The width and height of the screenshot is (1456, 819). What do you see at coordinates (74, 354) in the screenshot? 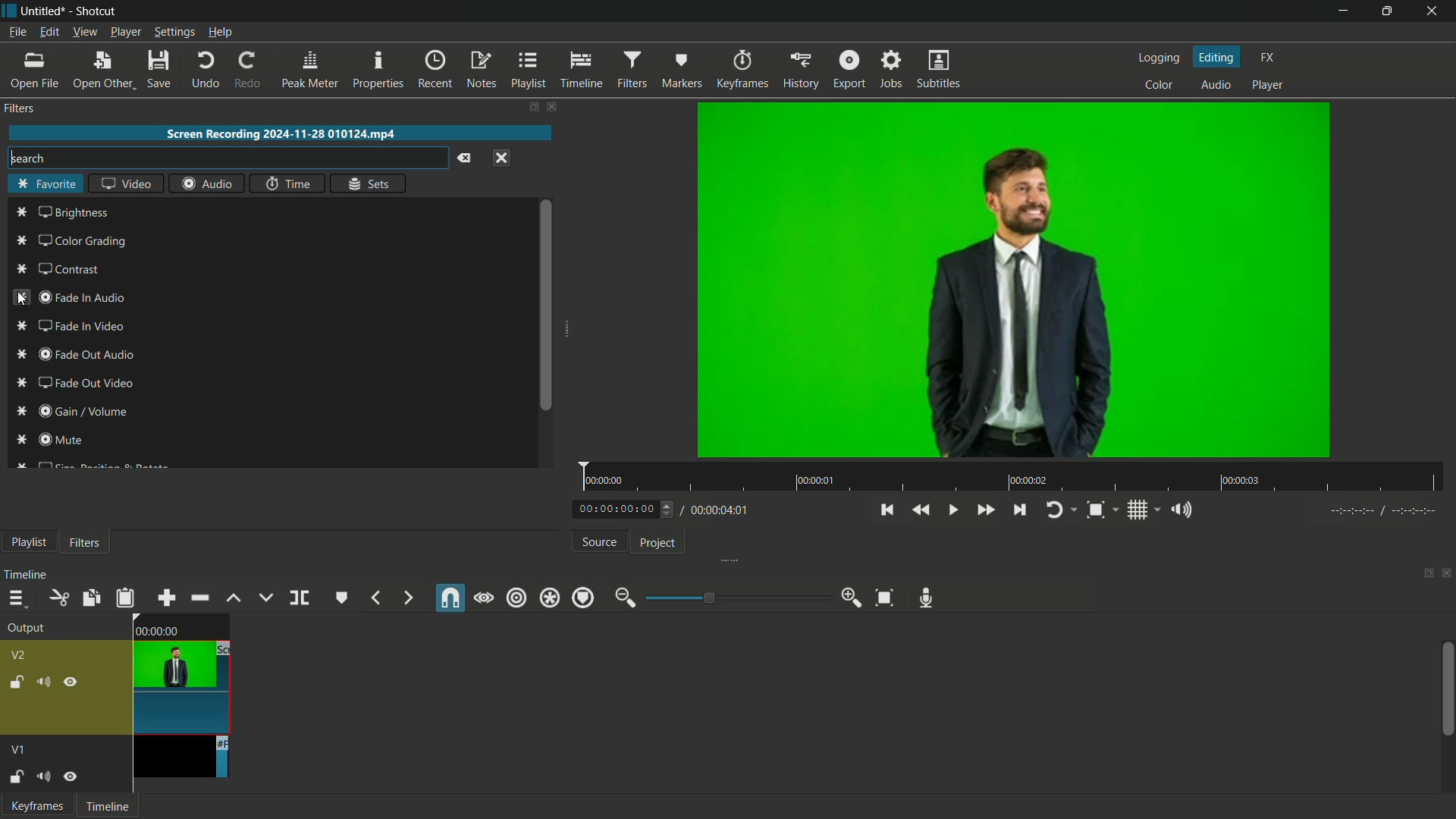
I see `fade out audio` at bounding box center [74, 354].